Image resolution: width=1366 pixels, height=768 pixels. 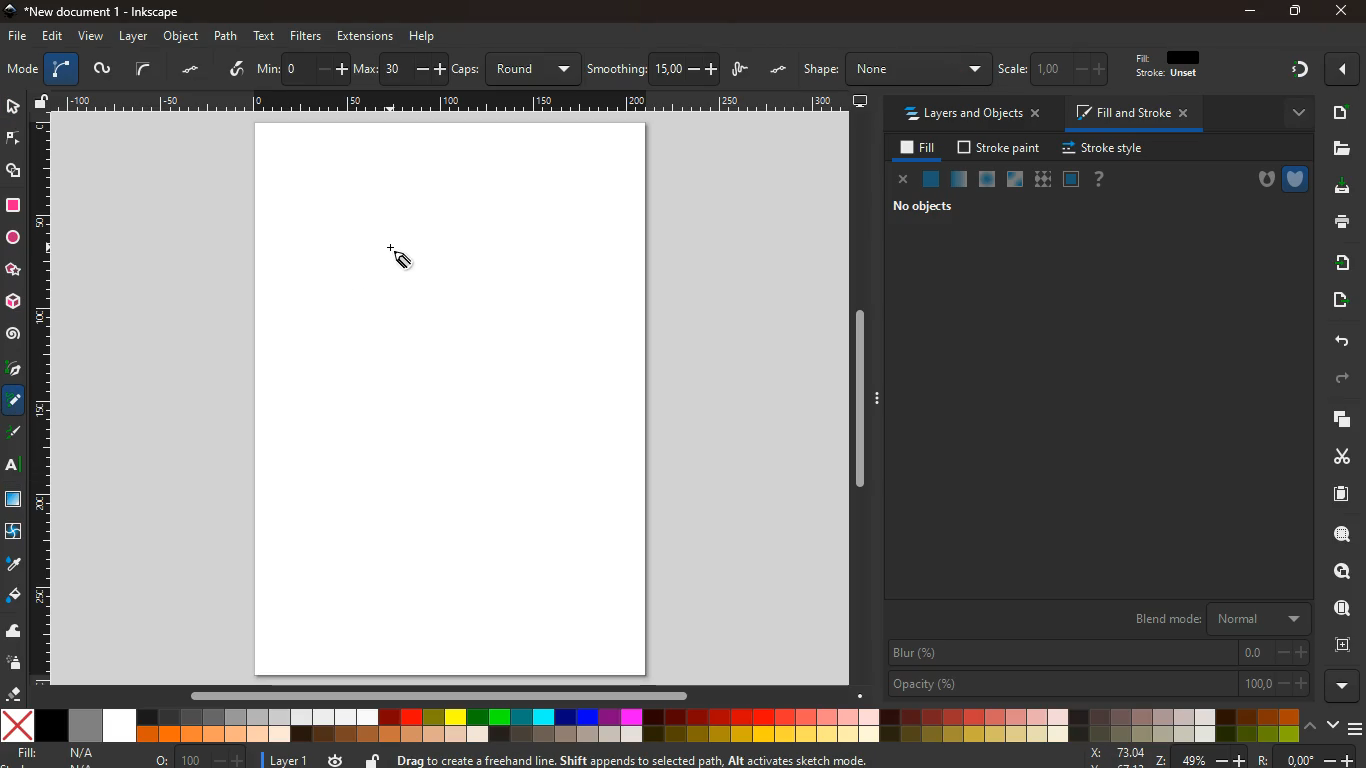 What do you see at coordinates (1345, 69) in the screenshot?
I see `more` at bounding box center [1345, 69].